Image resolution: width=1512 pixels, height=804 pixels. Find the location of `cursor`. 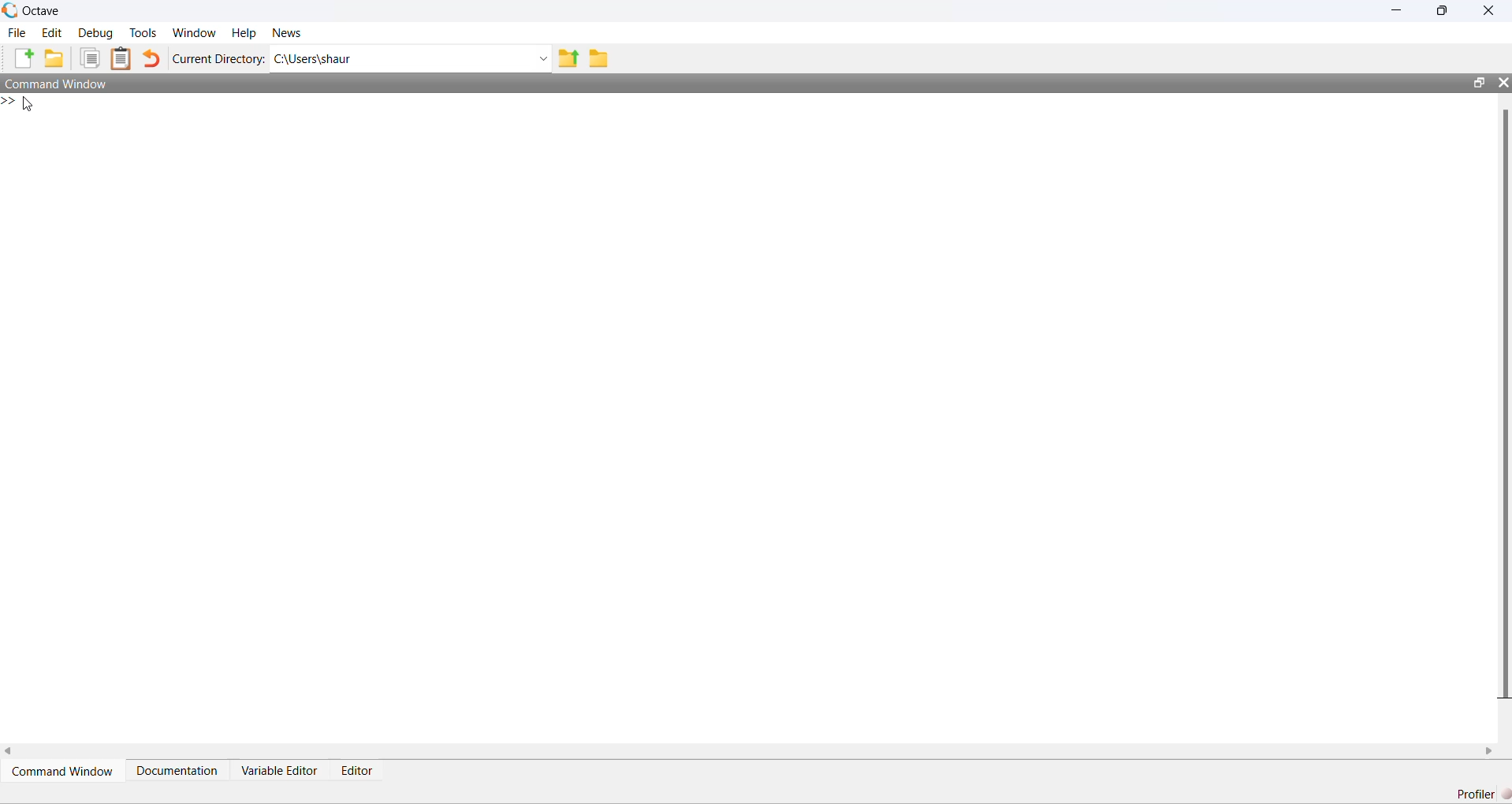

cursor is located at coordinates (28, 104).